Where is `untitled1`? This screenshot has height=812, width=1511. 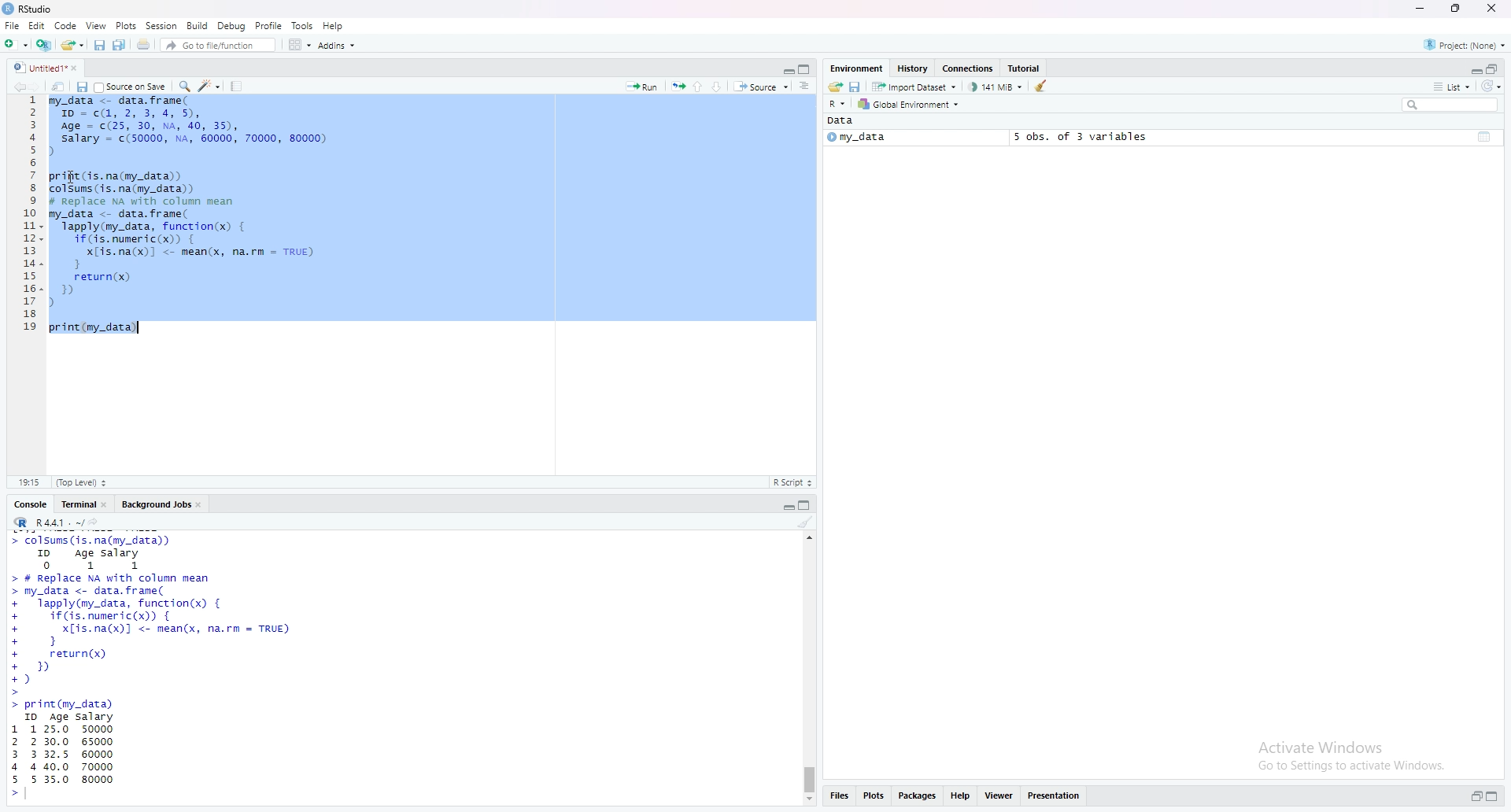
untitled1 is located at coordinates (45, 67).